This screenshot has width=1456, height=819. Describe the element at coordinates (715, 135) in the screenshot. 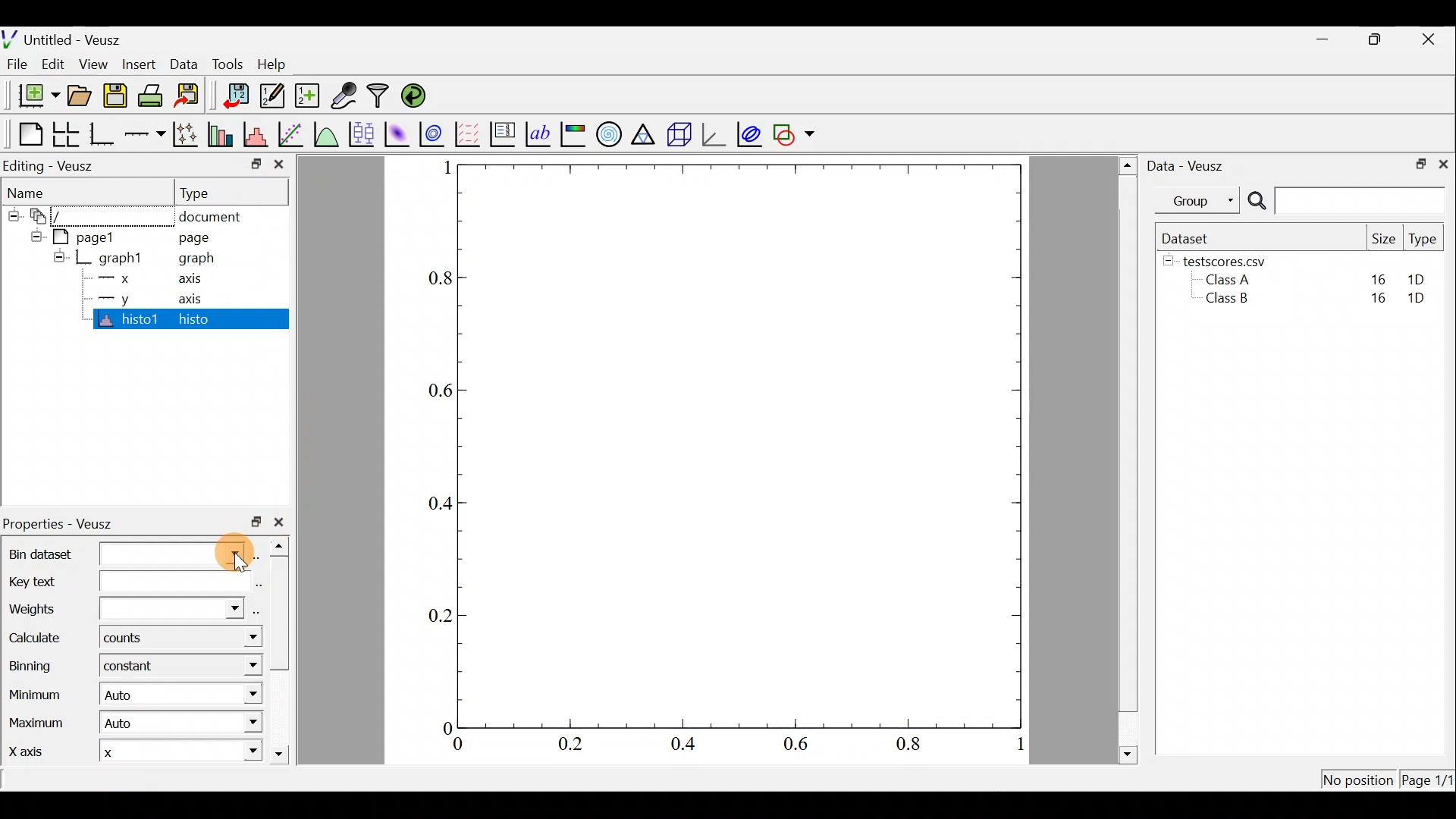

I see `3d graph` at that location.